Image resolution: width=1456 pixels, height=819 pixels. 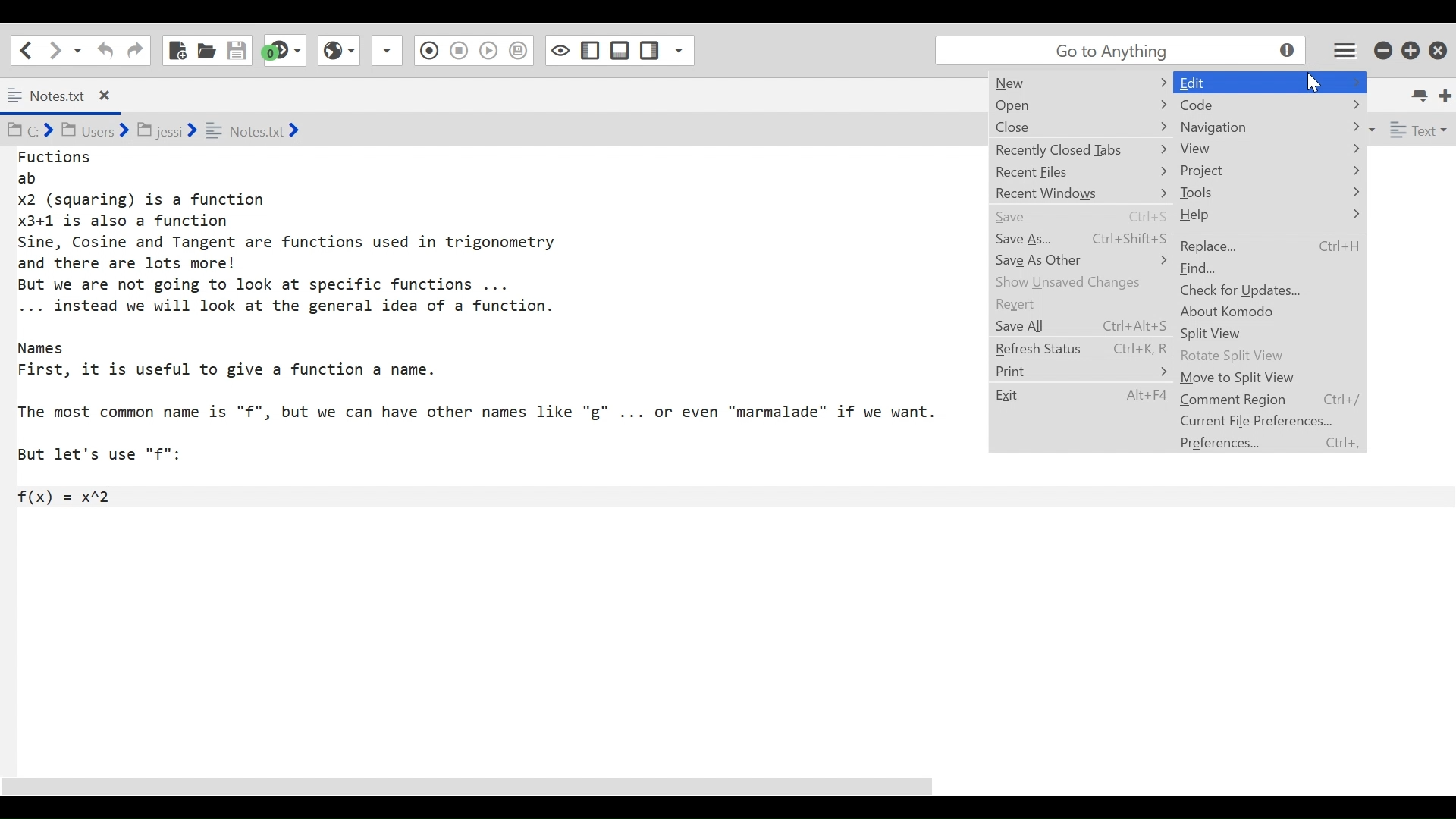 I want to click on Close, so click(x=1440, y=47).